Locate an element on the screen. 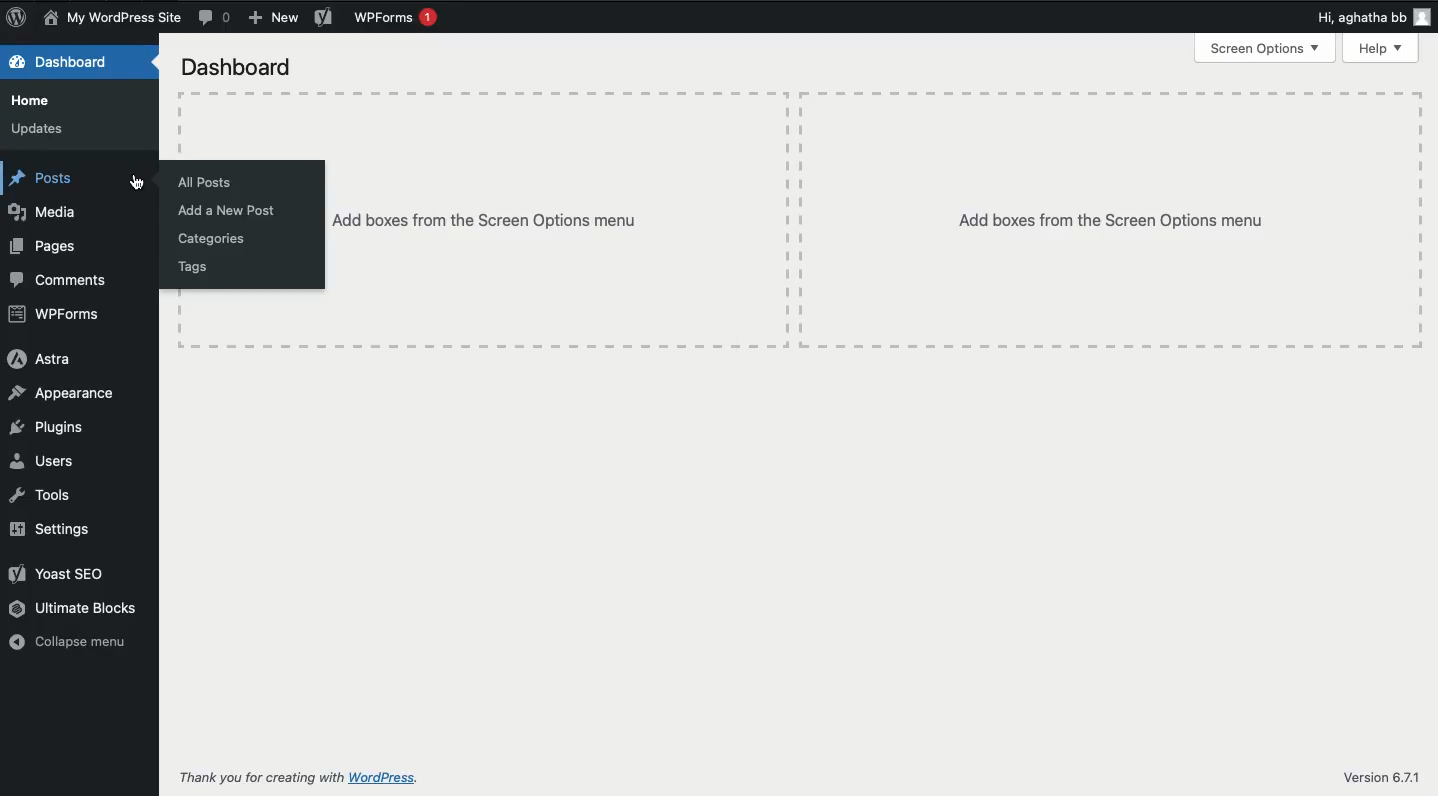 Image resolution: width=1438 pixels, height=796 pixels. Tags is located at coordinates (201, 265).